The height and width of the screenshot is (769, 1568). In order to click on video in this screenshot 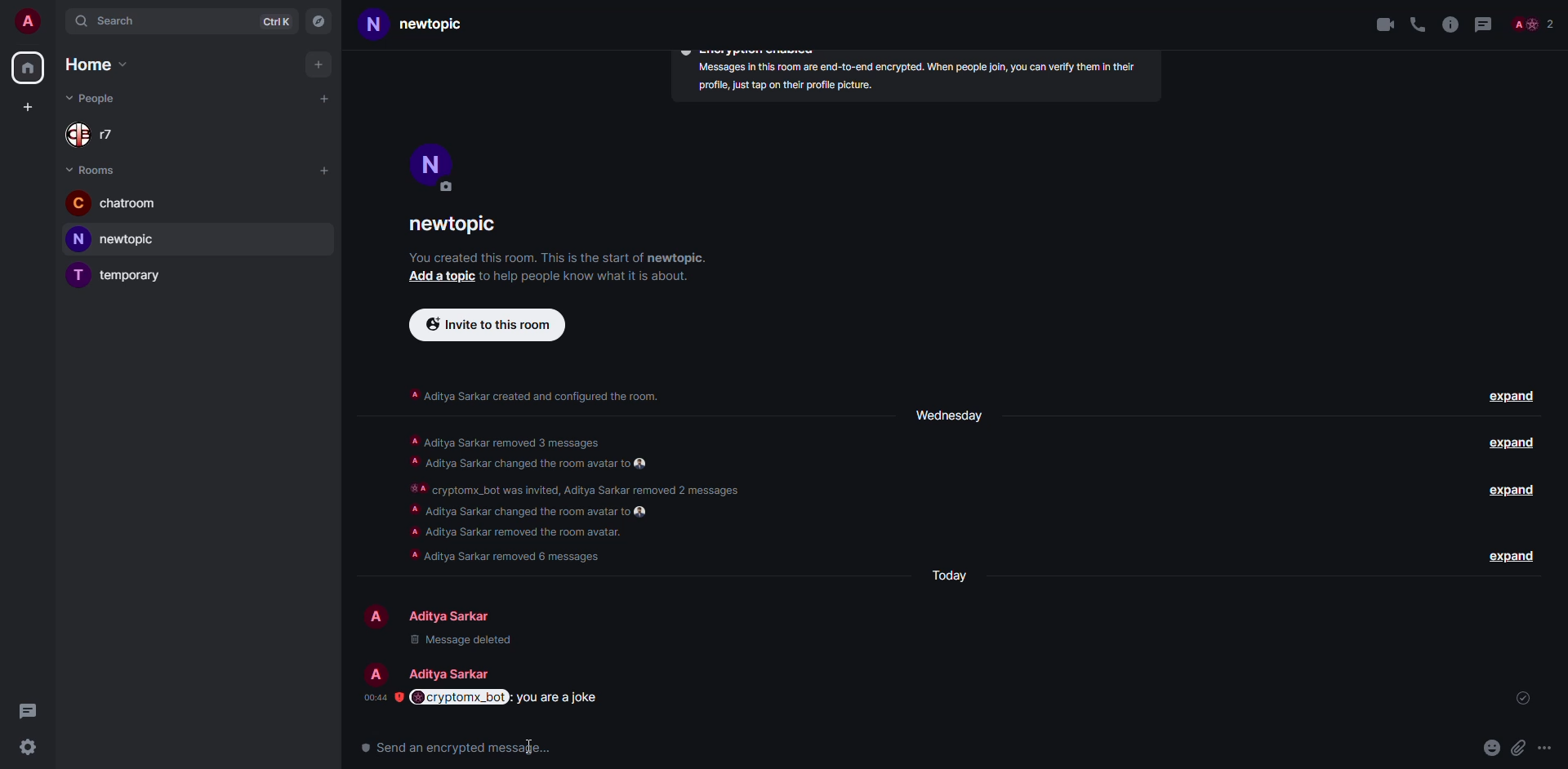, I will do `click(1379, 24)`.